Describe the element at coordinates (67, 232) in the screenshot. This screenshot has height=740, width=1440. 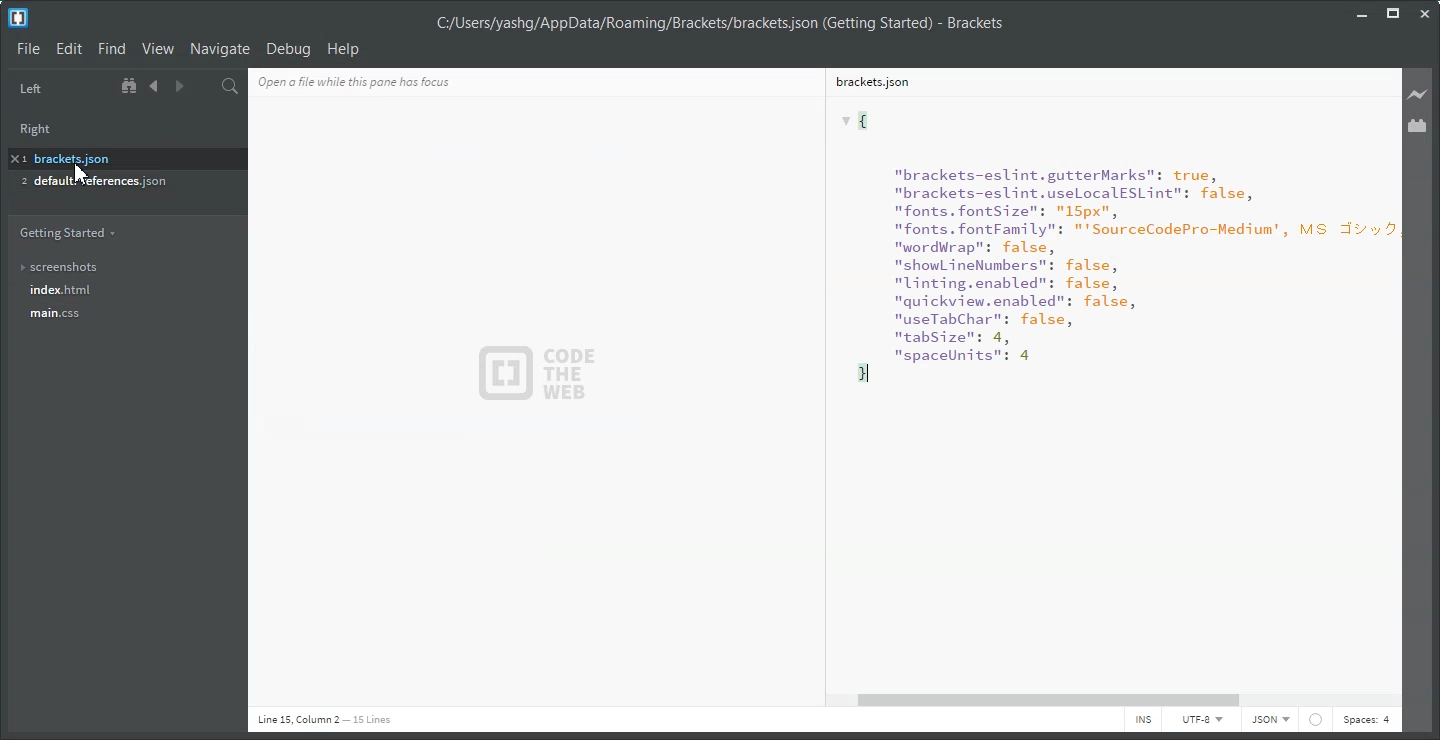
I see `Getting Started` at that location.